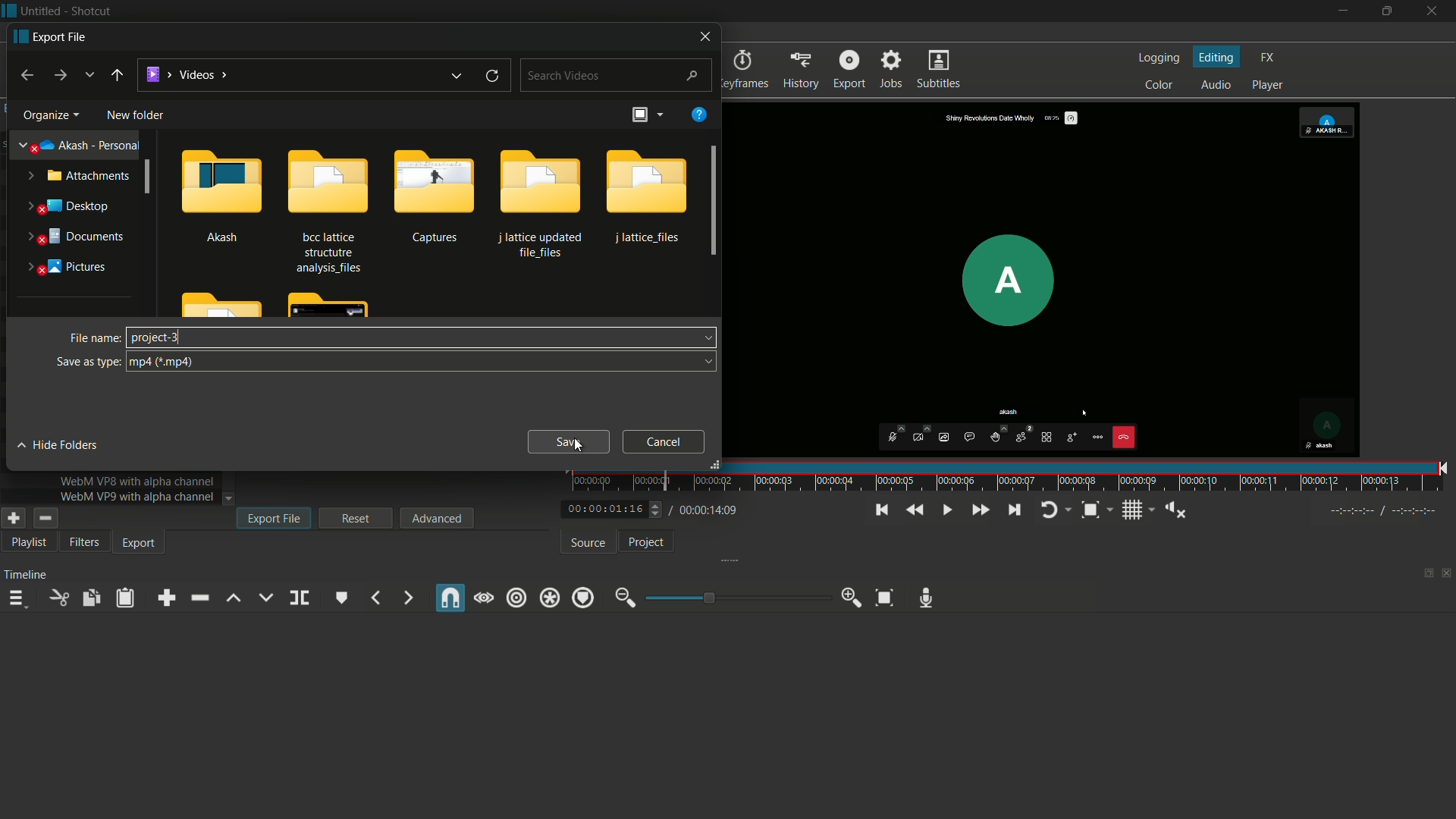 Image resolution: width=1456 pixels, height=819 pixels. What do you see at coordinates (893, 69) in the screenshot?
I see `jobs` at bounding box center [893, 69].